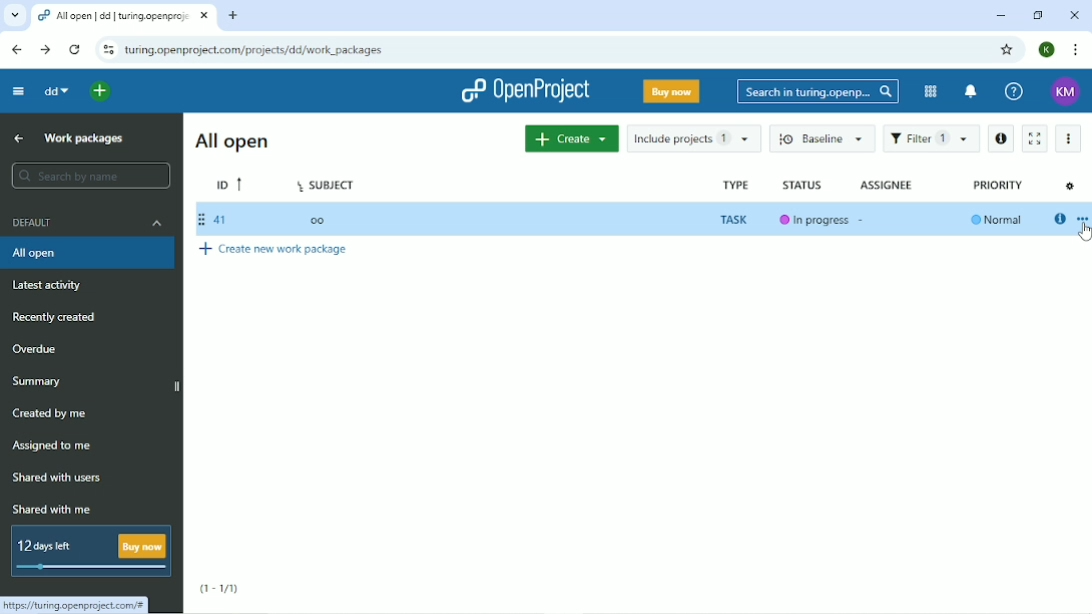  What do you see at coordinates (327, 184) in the screenshot?
I see `Subject` at bounding box center [327, 184].